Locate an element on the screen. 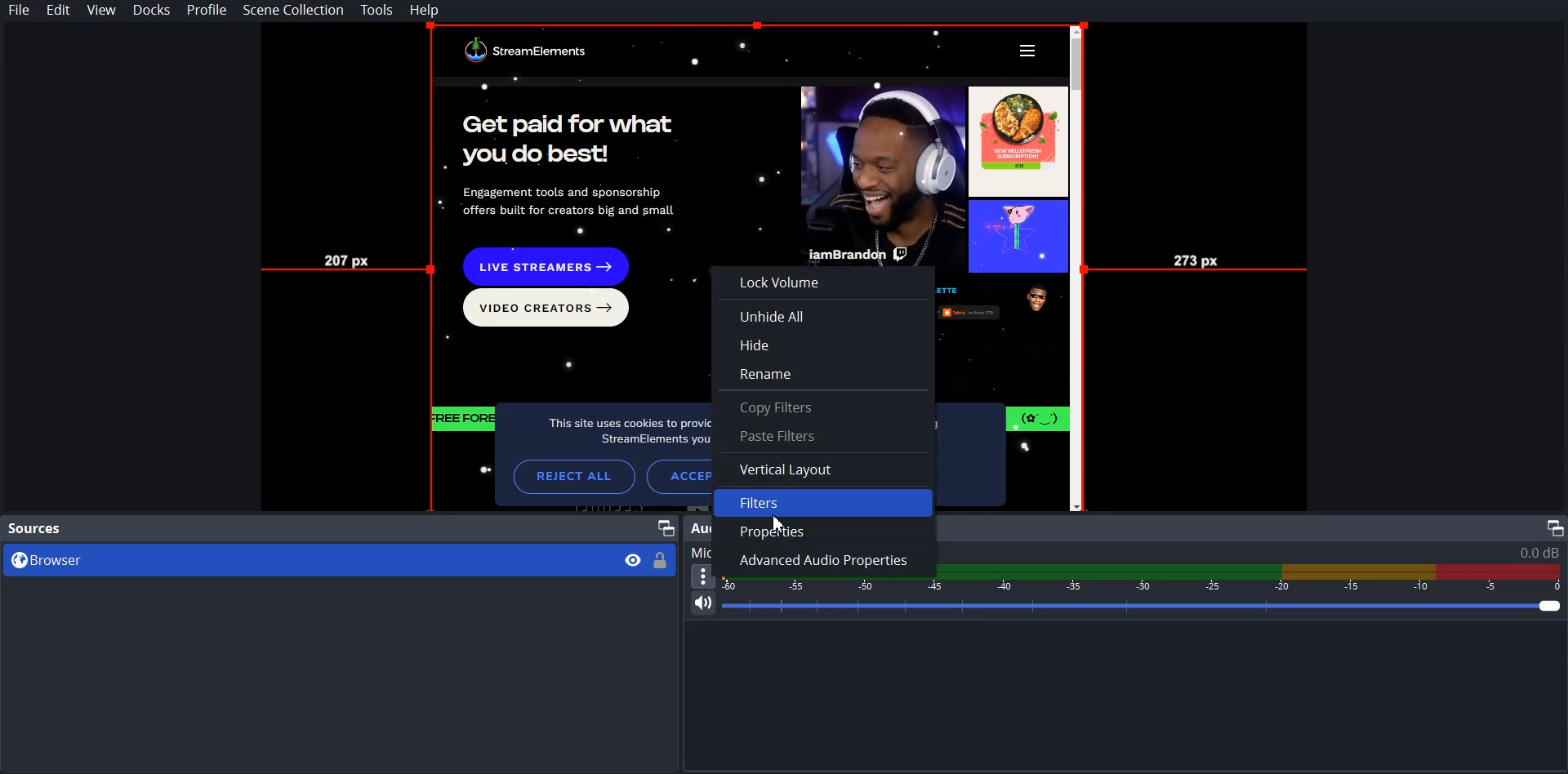 Image resolution: width=1568 pixels, height=774 pixels. Volume Adjuster is located at coordinates (1145, 605).